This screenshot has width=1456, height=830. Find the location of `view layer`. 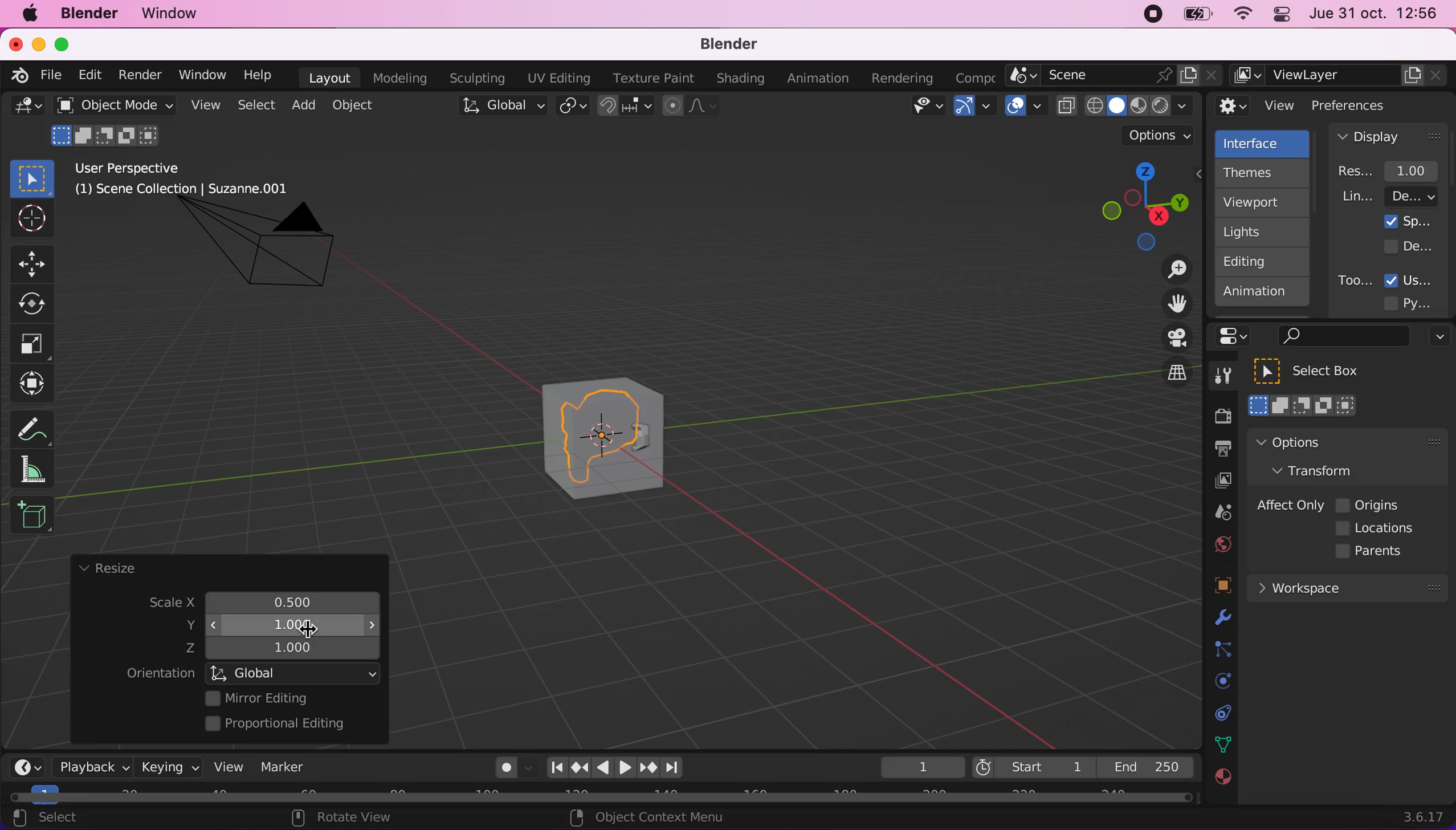

view layer is located at coordinates (1340, 76).